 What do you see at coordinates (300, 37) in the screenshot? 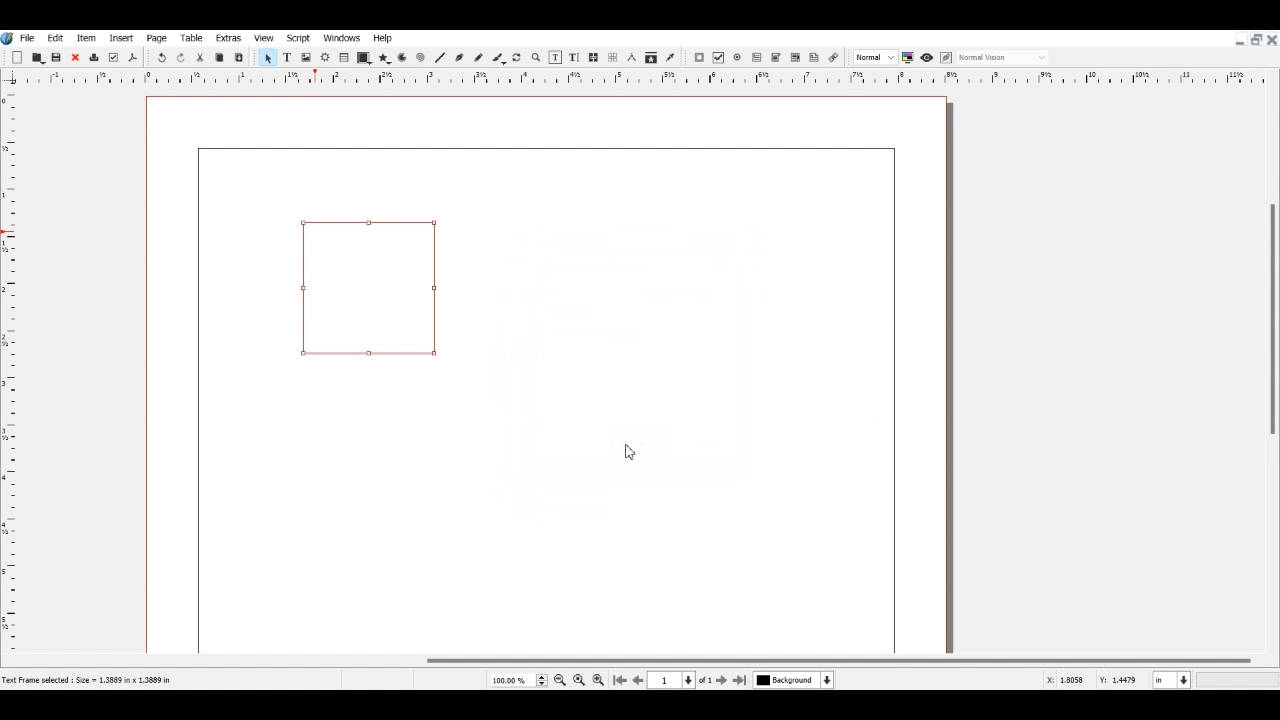
I see `Script` at bounding box center [300, 37].